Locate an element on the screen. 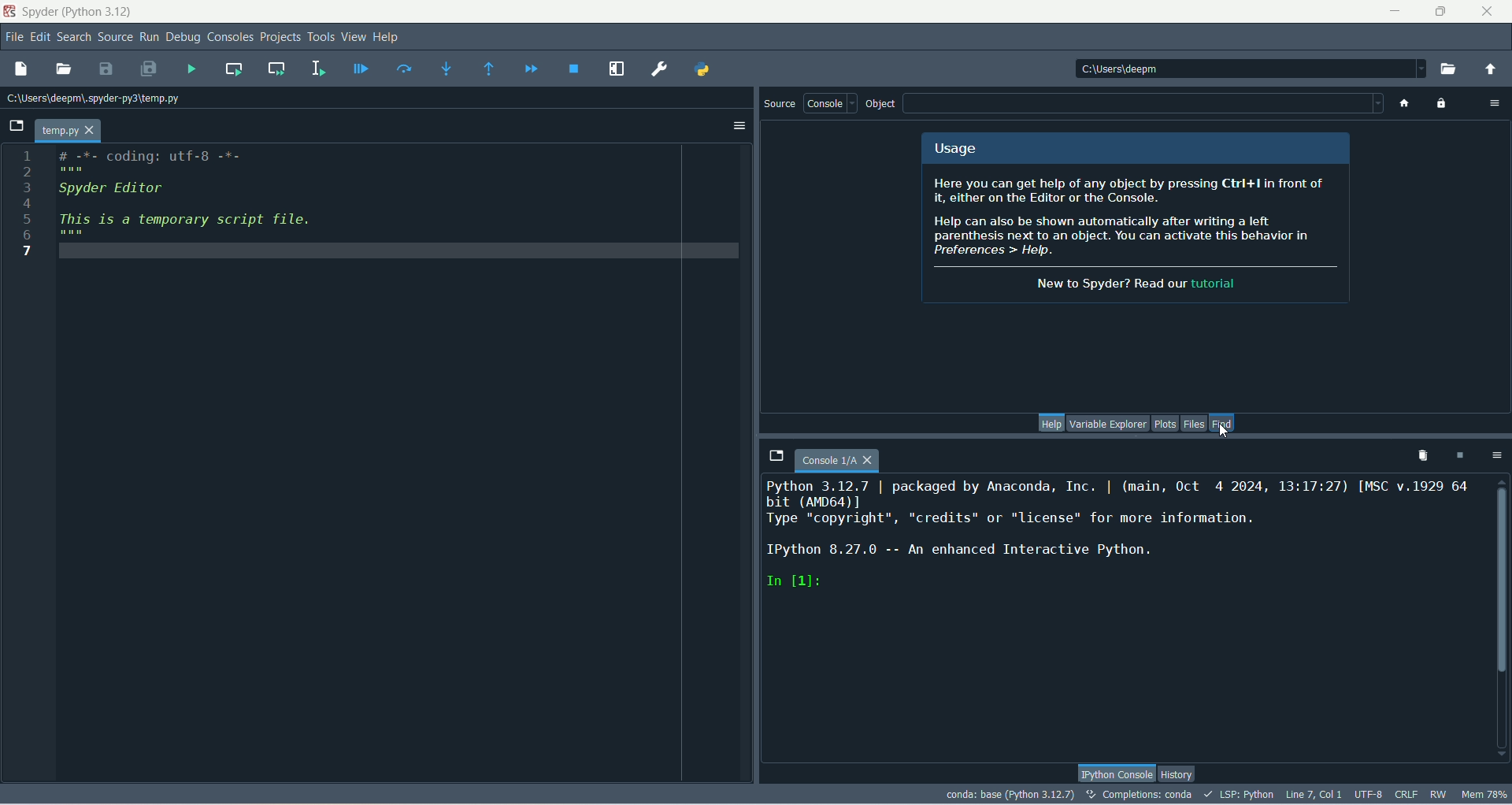 This screenshot has width=1512, height=805. Line, col is located at coordinates (1312, 794).